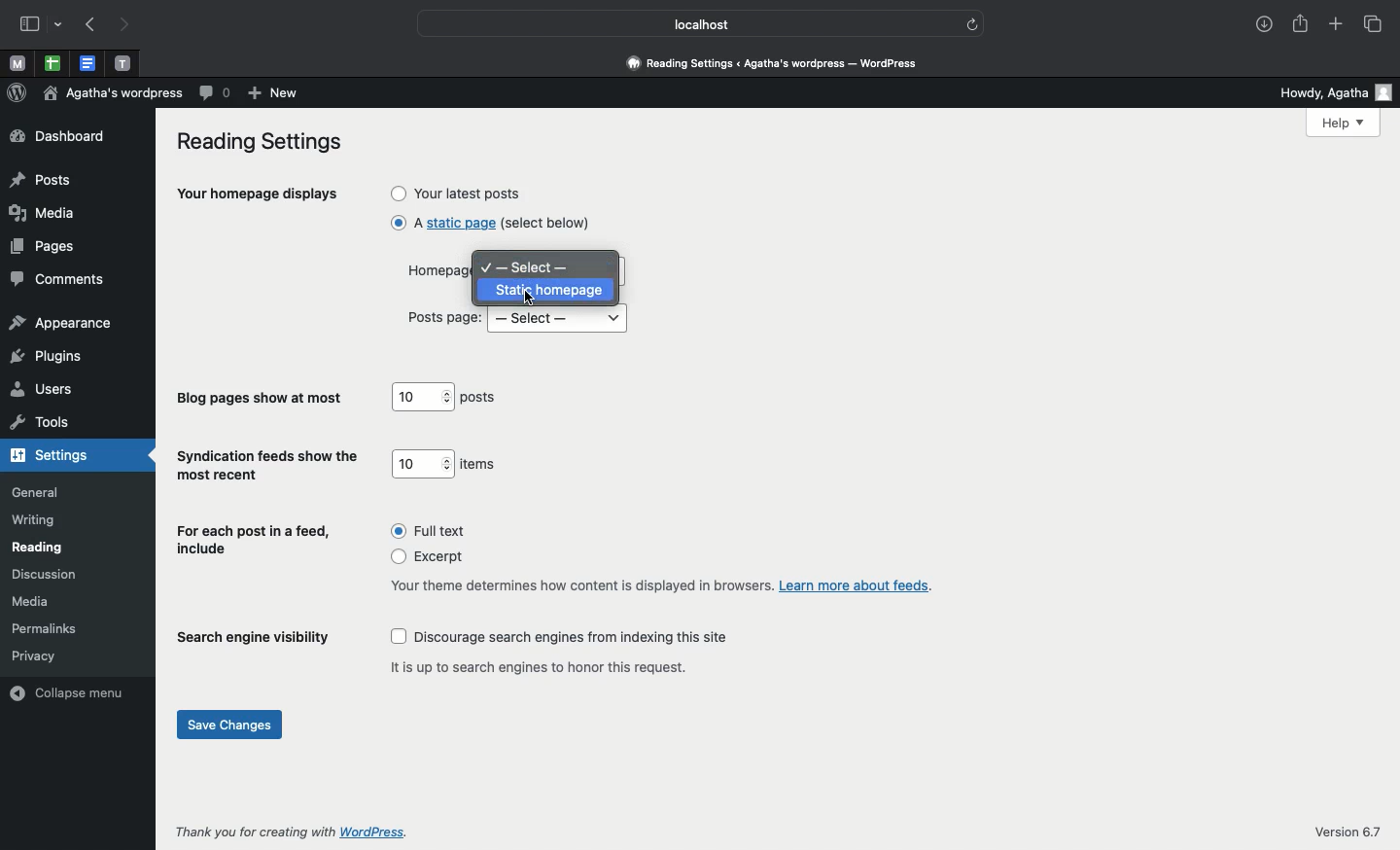  I want to click on Share, so click(1297, 21).